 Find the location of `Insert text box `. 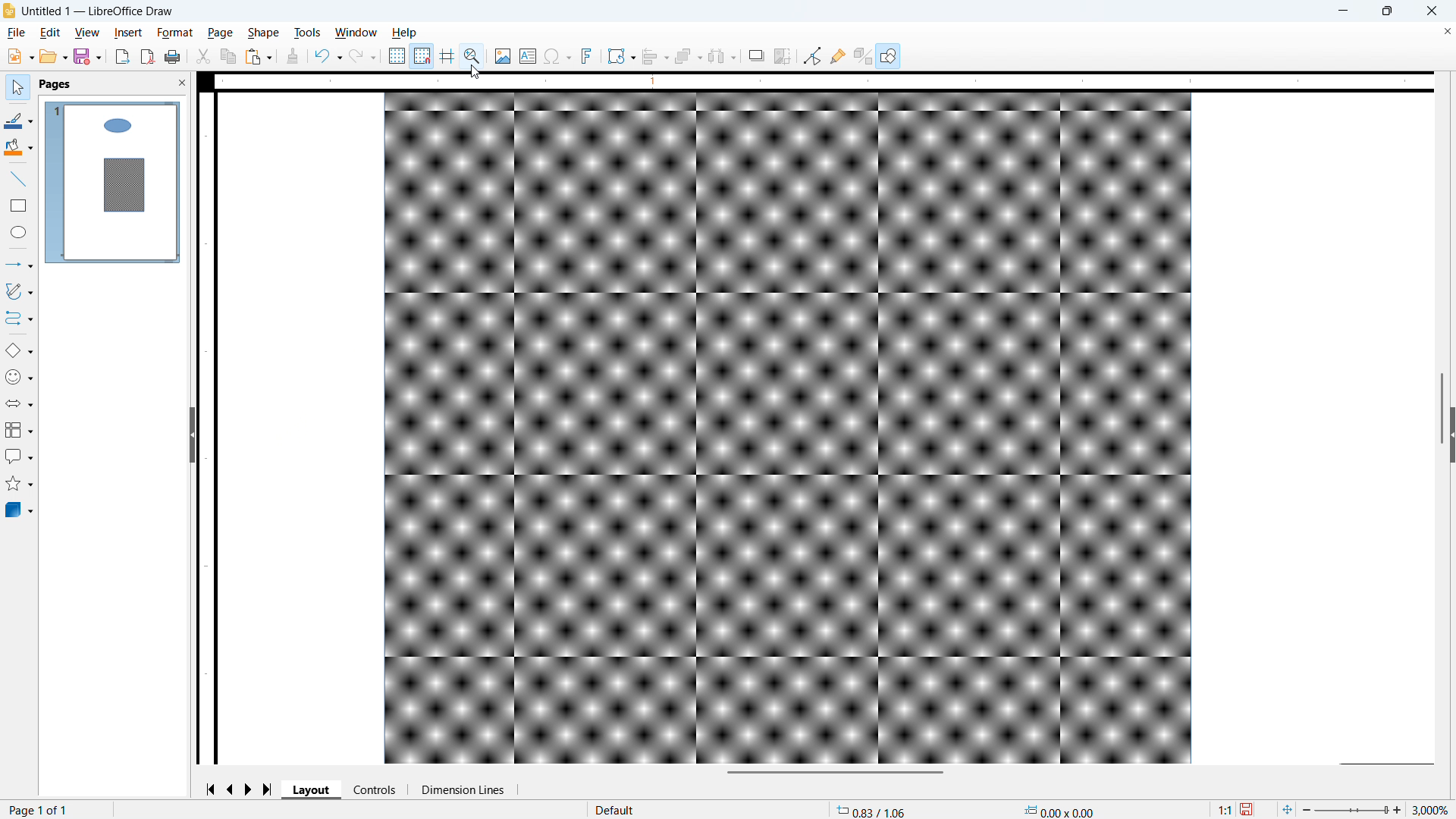

Insert text box  is located at coordinates (528, 55).